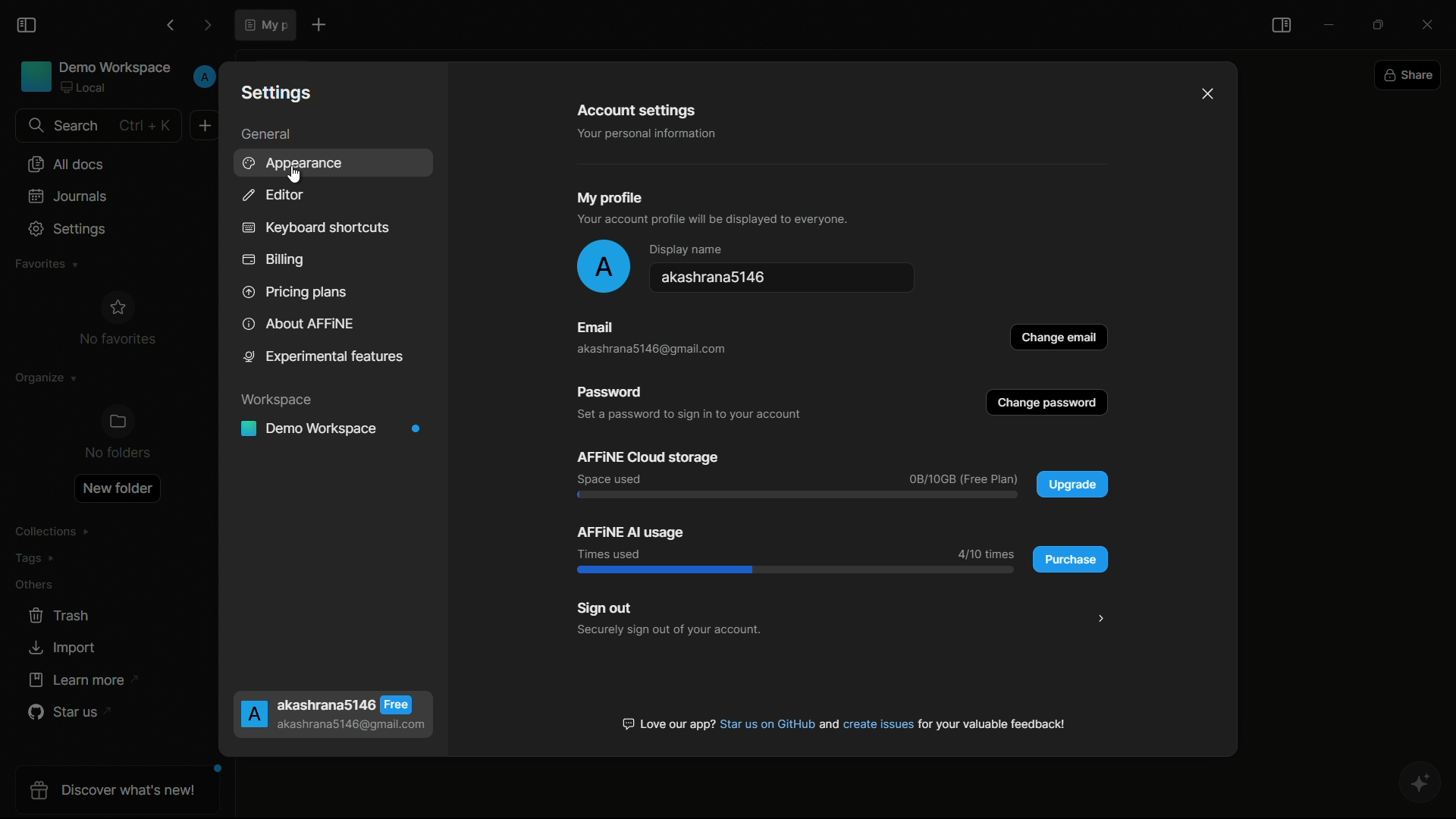 This screenshot has height=819, width=1456. Describe the element at coordinates (603, 266) in the screenshot. I see `profile icon` at that location.